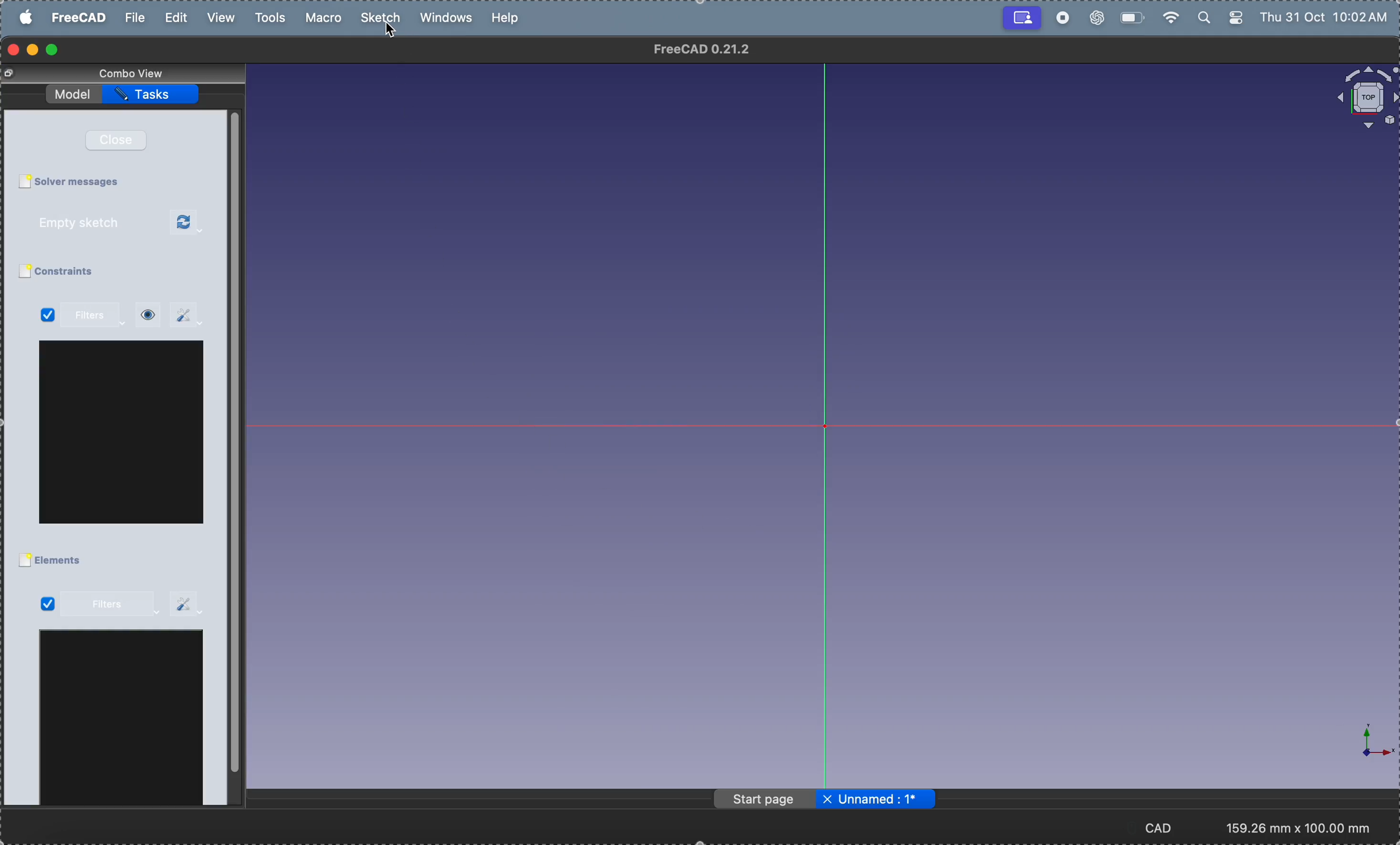 The image size is (1400, 845). I want to click on Thu 31 Oct 10:02 AM, so click(1327, 19).